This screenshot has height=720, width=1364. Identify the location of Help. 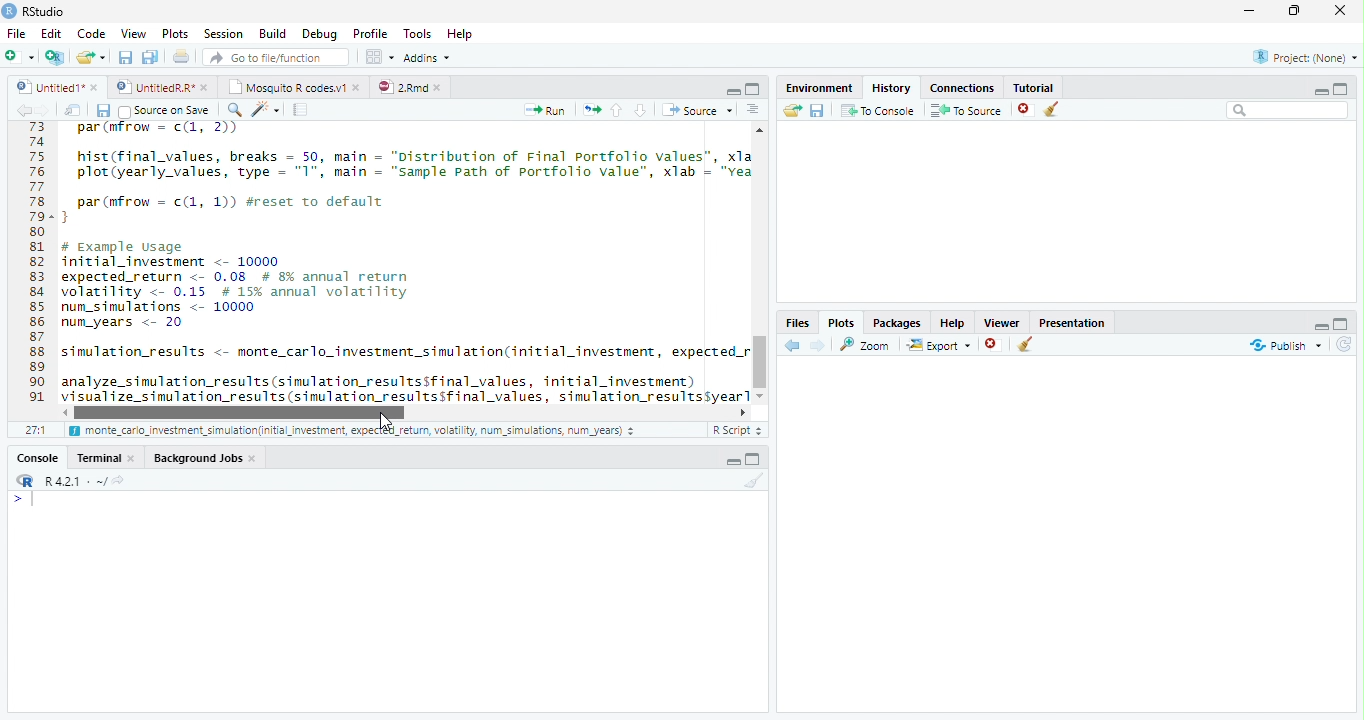
(462, 35).